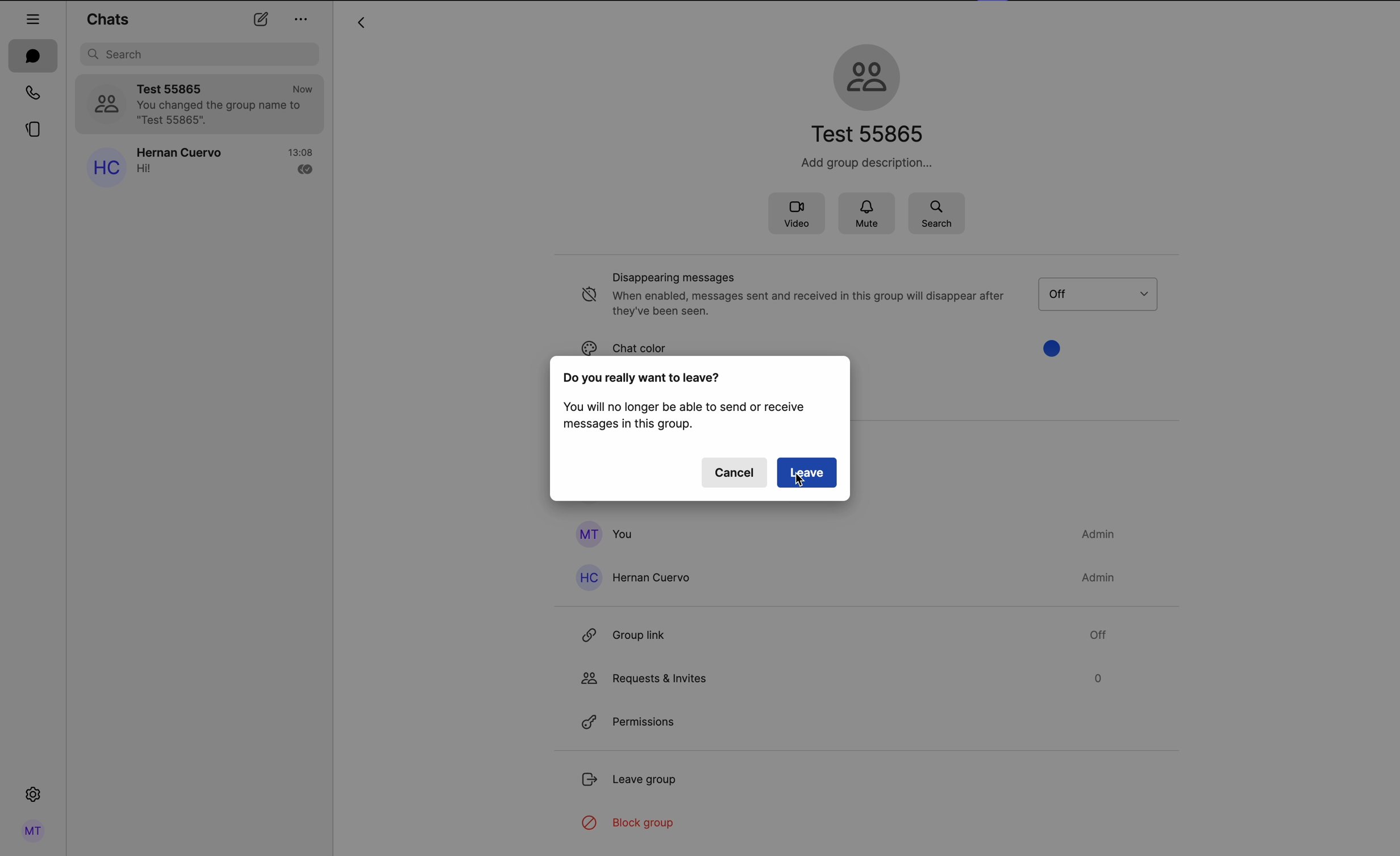  What do you see at coordinates (1113, 293) in the screenshot?
I see `button` at bounding box center [1113, 293].